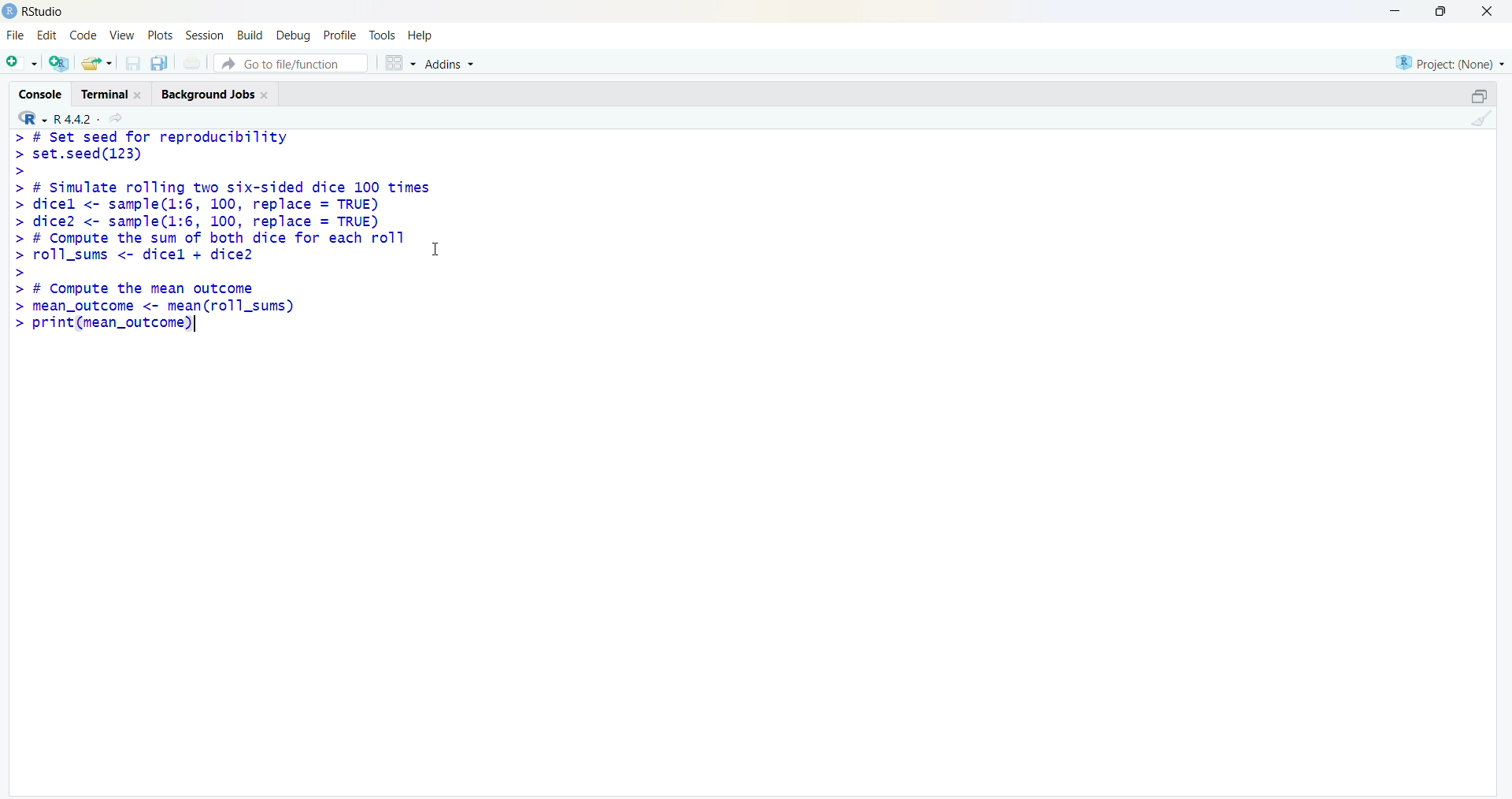 The height and width of the screenshot is (799, 1512). I want to click on Background jobs, so click(207, 96).